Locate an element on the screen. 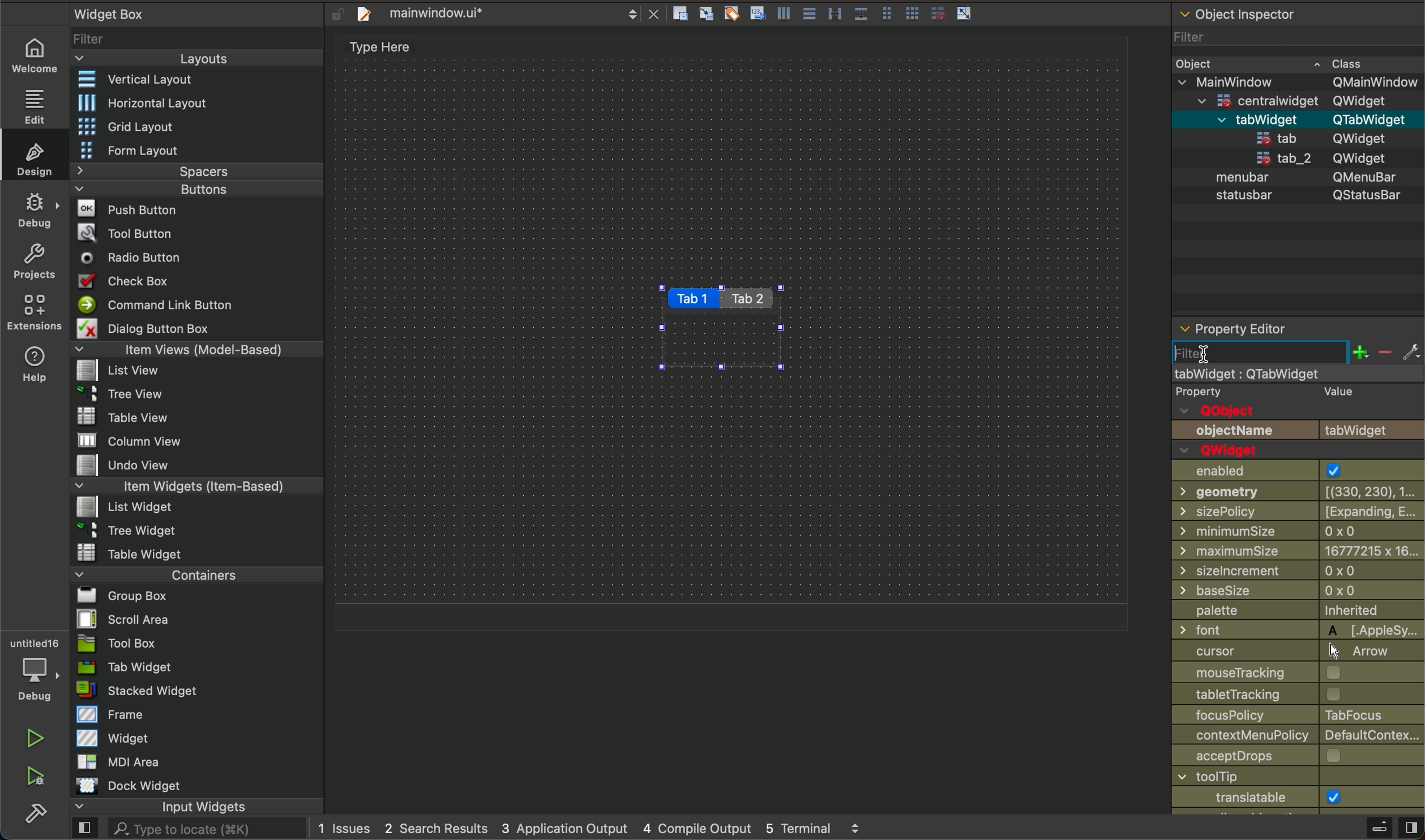 The height and width of the screenshot is (840, 1425). projects is located at coordinates (36, 261).